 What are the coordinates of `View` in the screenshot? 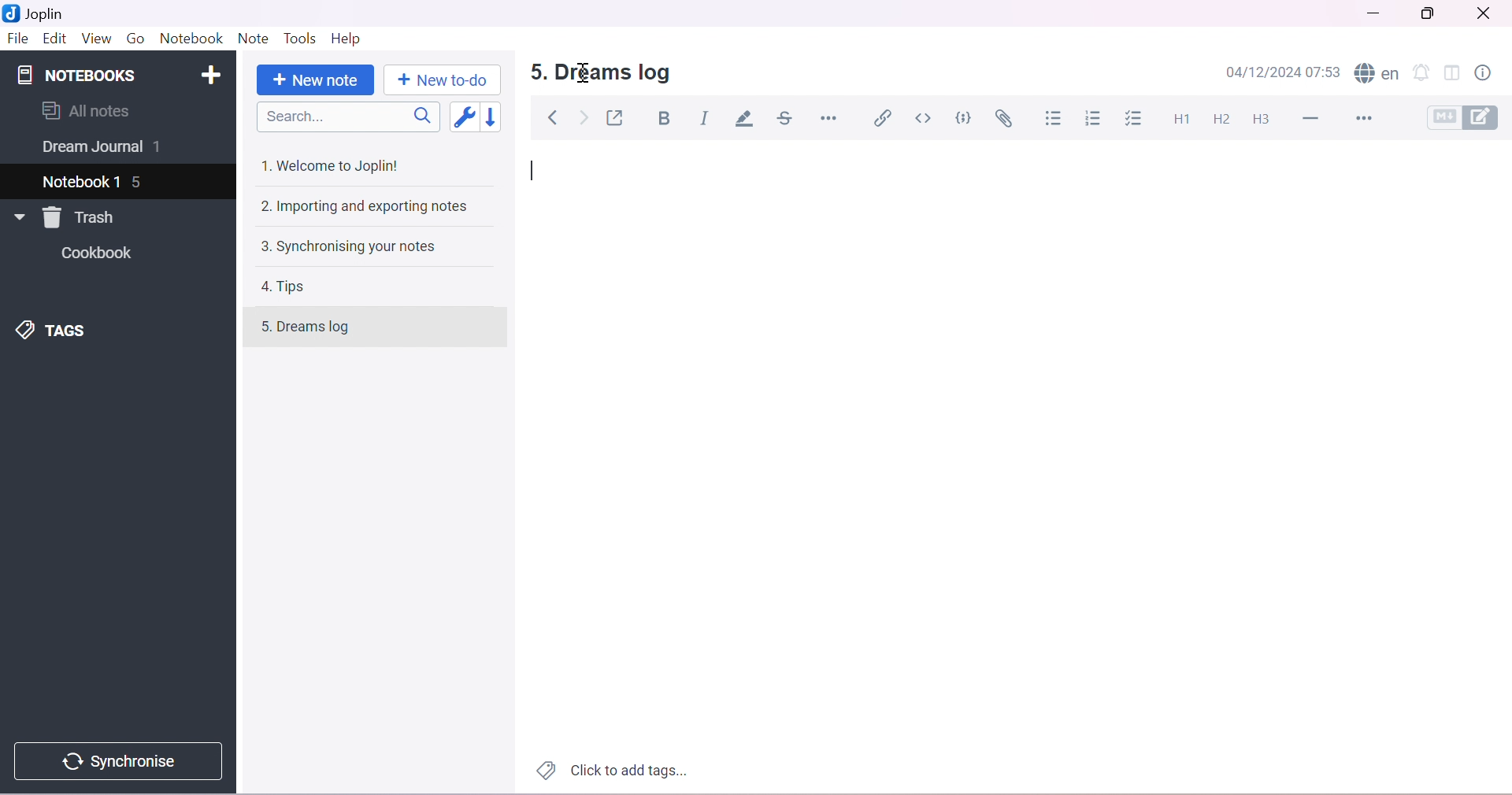 It's located at (95, 38).